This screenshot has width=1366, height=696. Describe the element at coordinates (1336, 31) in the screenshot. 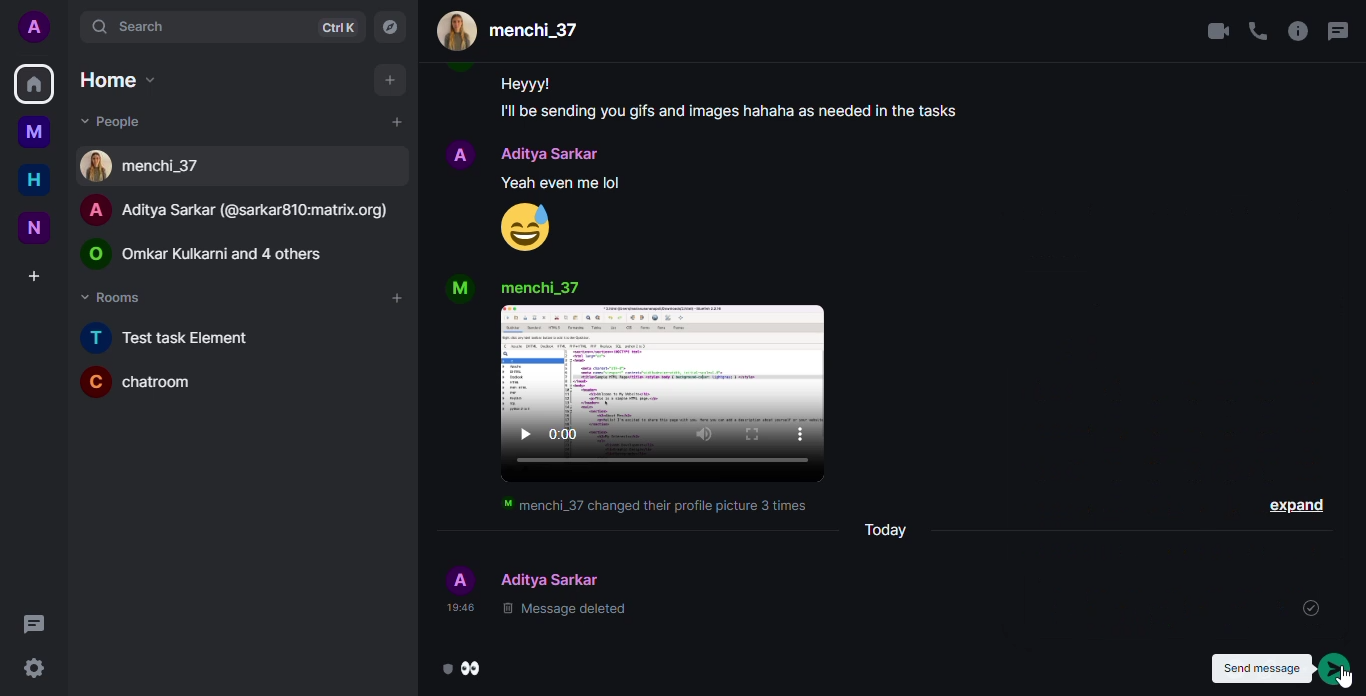

I see `threads` at that location.